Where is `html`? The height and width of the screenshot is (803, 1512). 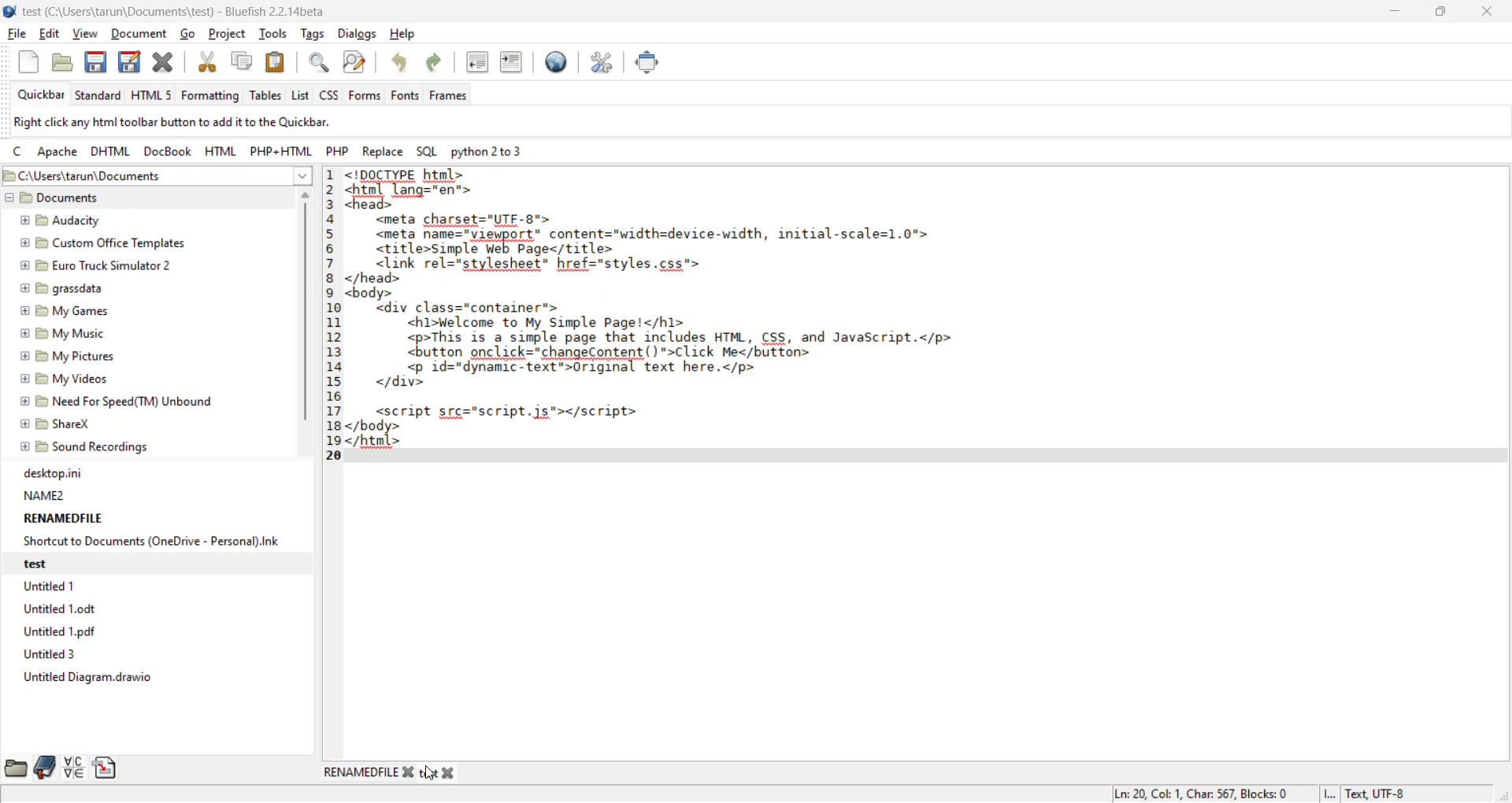 html is located at coordinates (220, 153).